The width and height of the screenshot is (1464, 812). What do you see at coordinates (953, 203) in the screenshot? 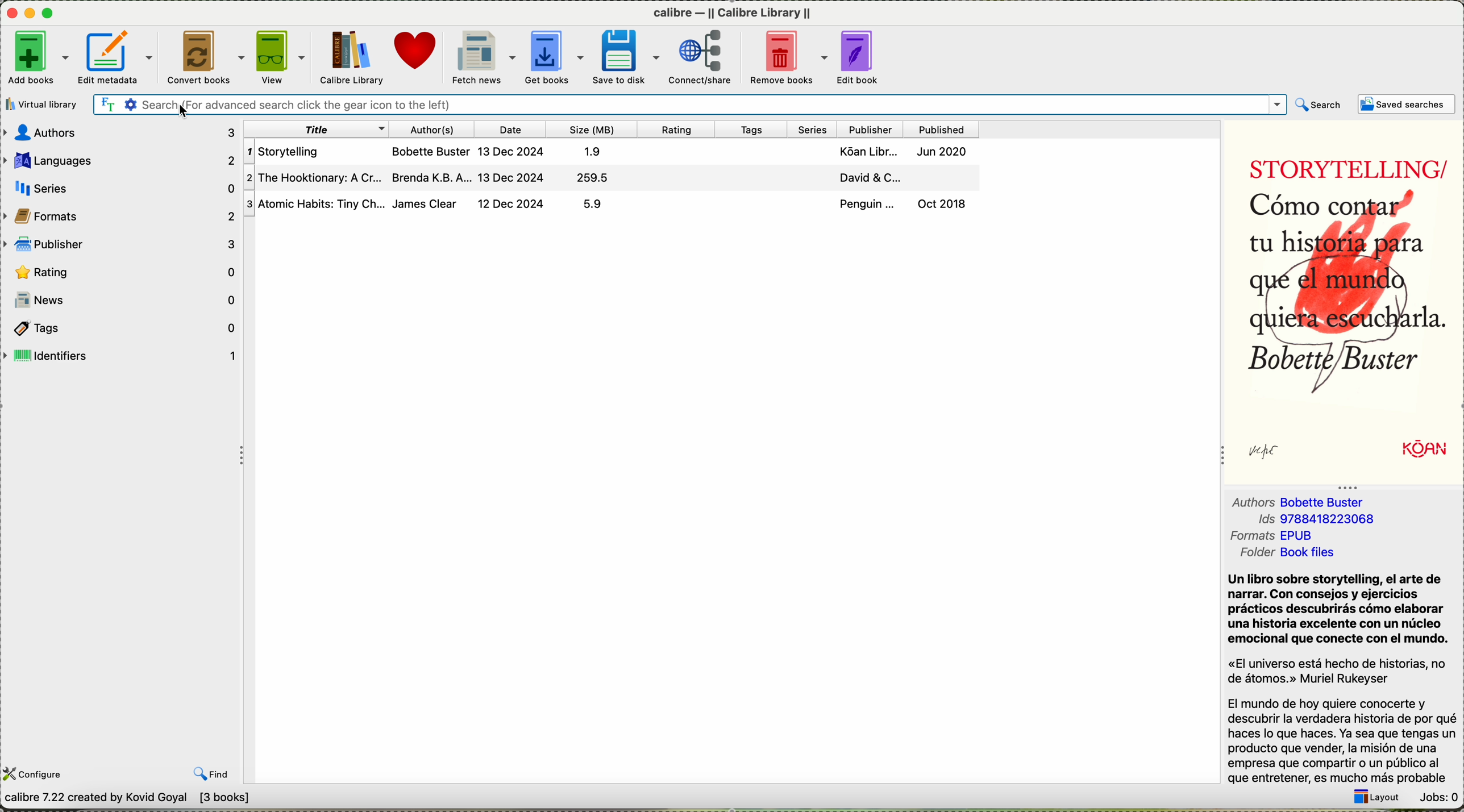
I see `Oct 2018` at bounding box center [953, 203].